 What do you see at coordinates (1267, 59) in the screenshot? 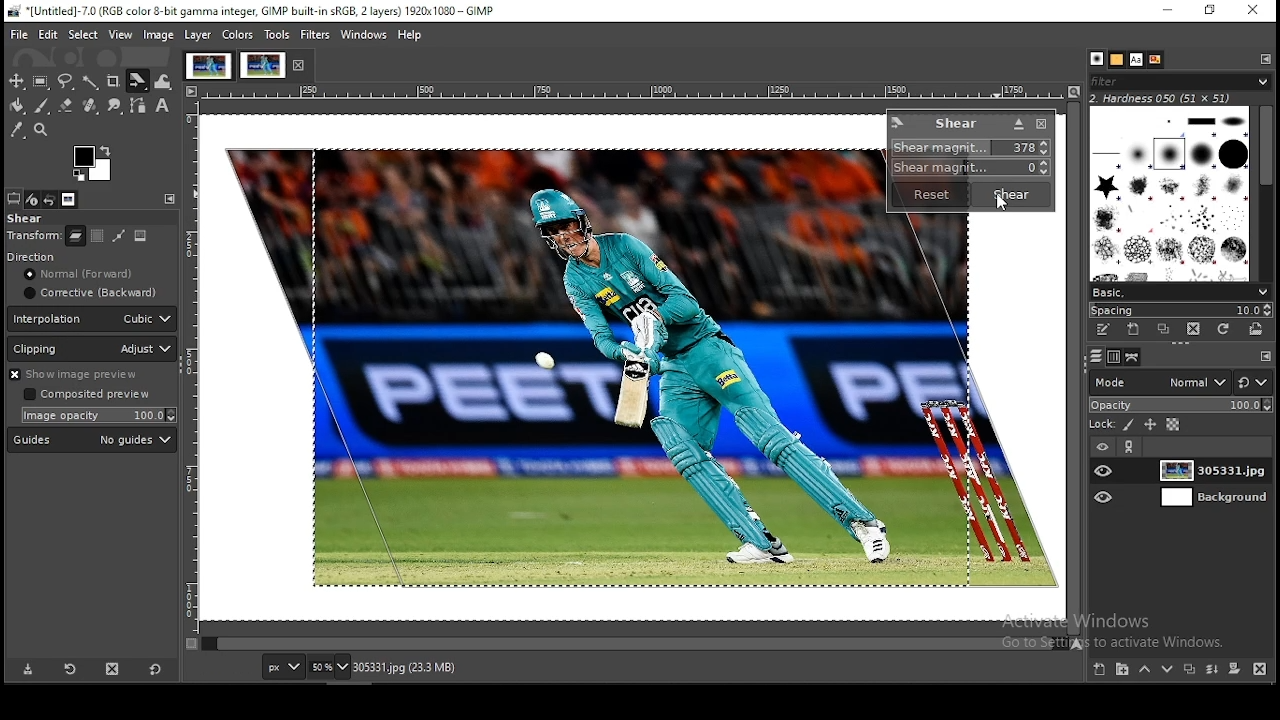
I see `configure this tab` at bounding box center [1267, 59].